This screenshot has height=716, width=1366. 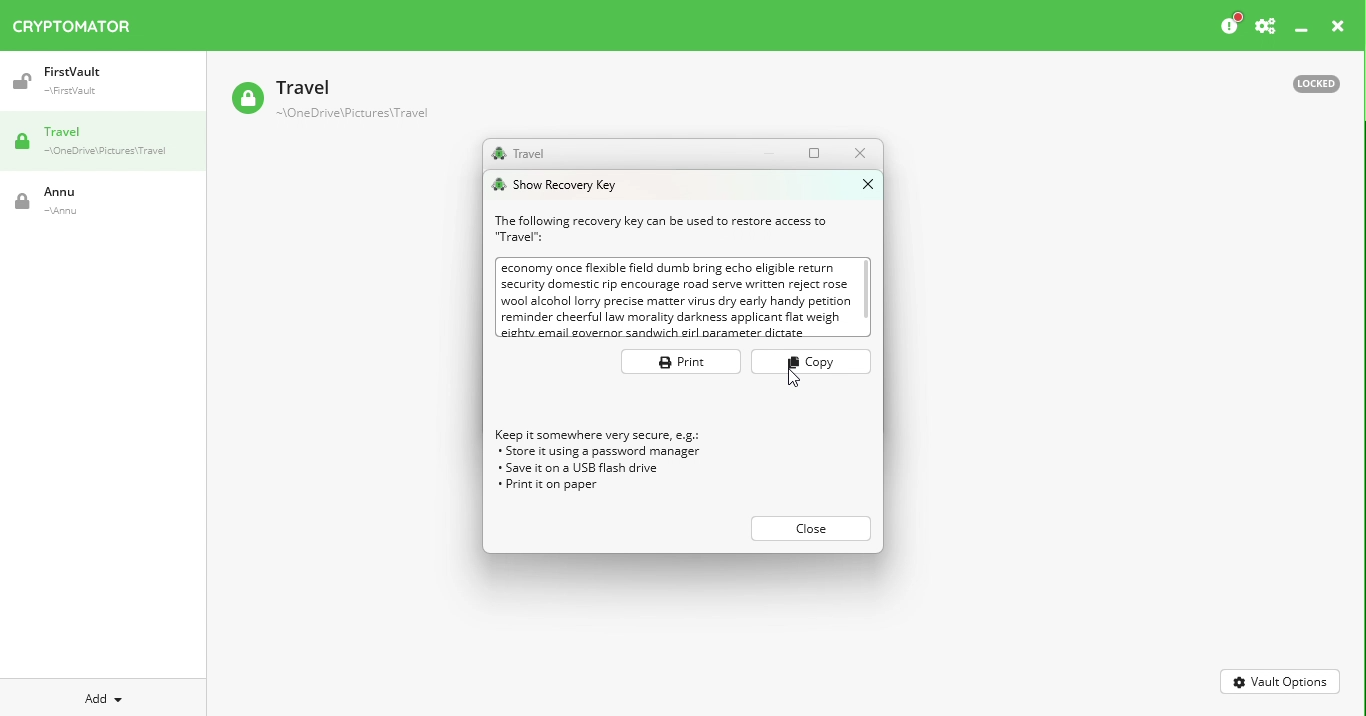 What do you see at coordinates (860, 184) in the screenshot?
I see `Close` at bounding box center [860, 184].